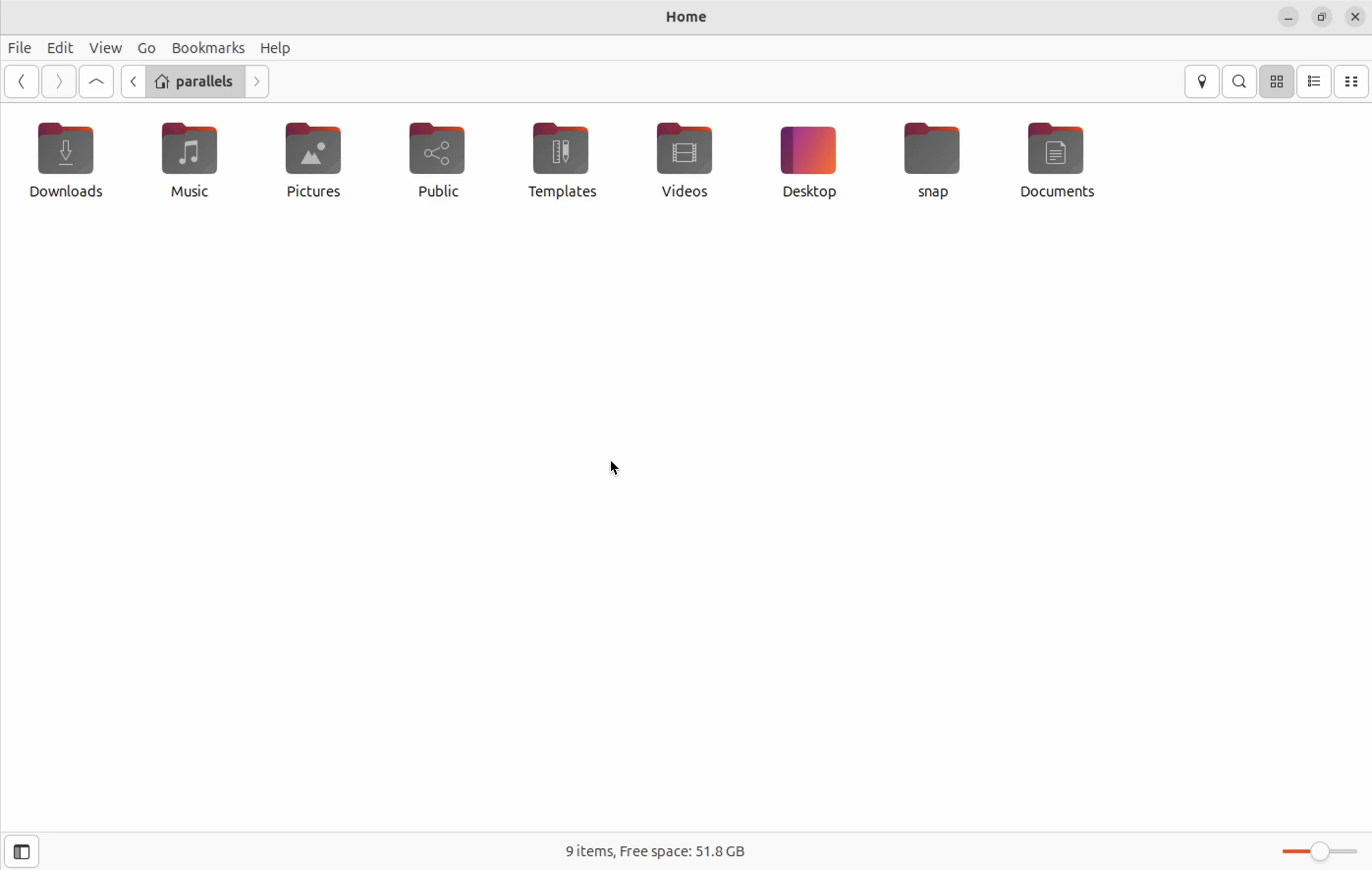  What do you see at coordinates (684, 18) in the screenshot?
I see `home` at bounding box center [684, 18].